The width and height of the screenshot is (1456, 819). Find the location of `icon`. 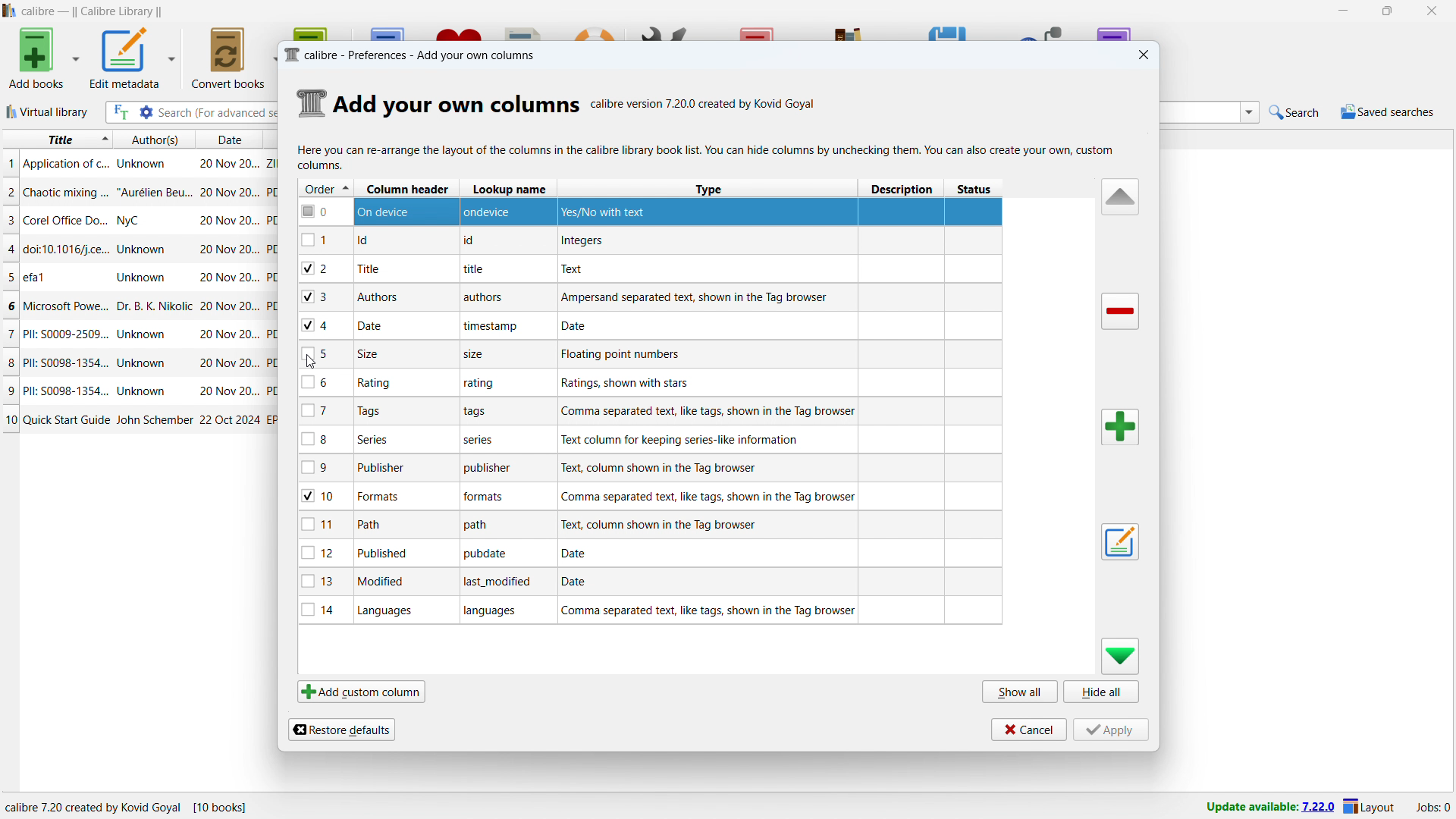

icon is located at coordinates (312, 102).